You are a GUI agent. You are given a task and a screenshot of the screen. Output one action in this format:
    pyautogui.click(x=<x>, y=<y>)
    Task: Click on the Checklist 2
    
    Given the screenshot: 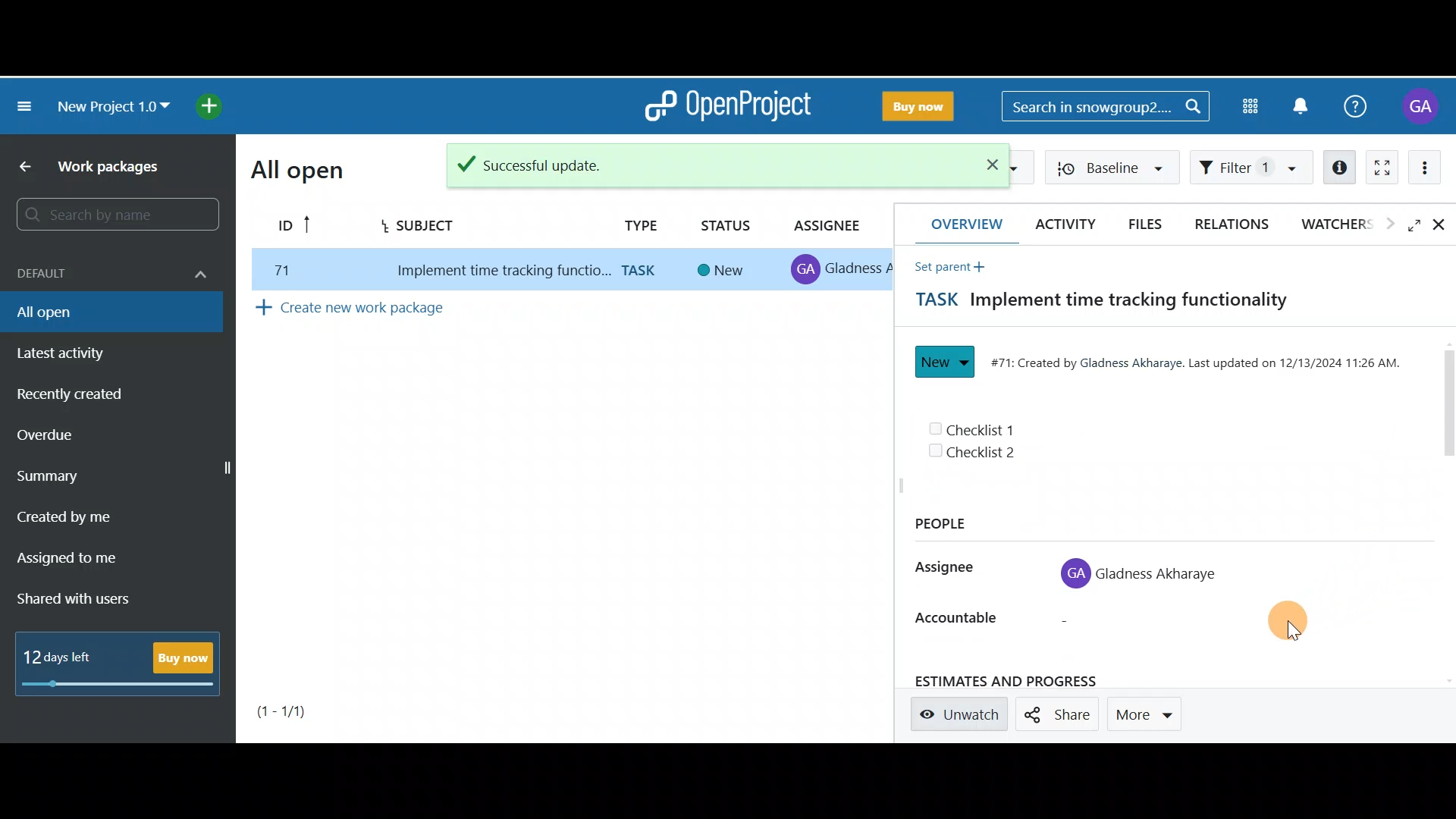 What is the action you would take?
    pyautogui.click(x=990, y=453)
    